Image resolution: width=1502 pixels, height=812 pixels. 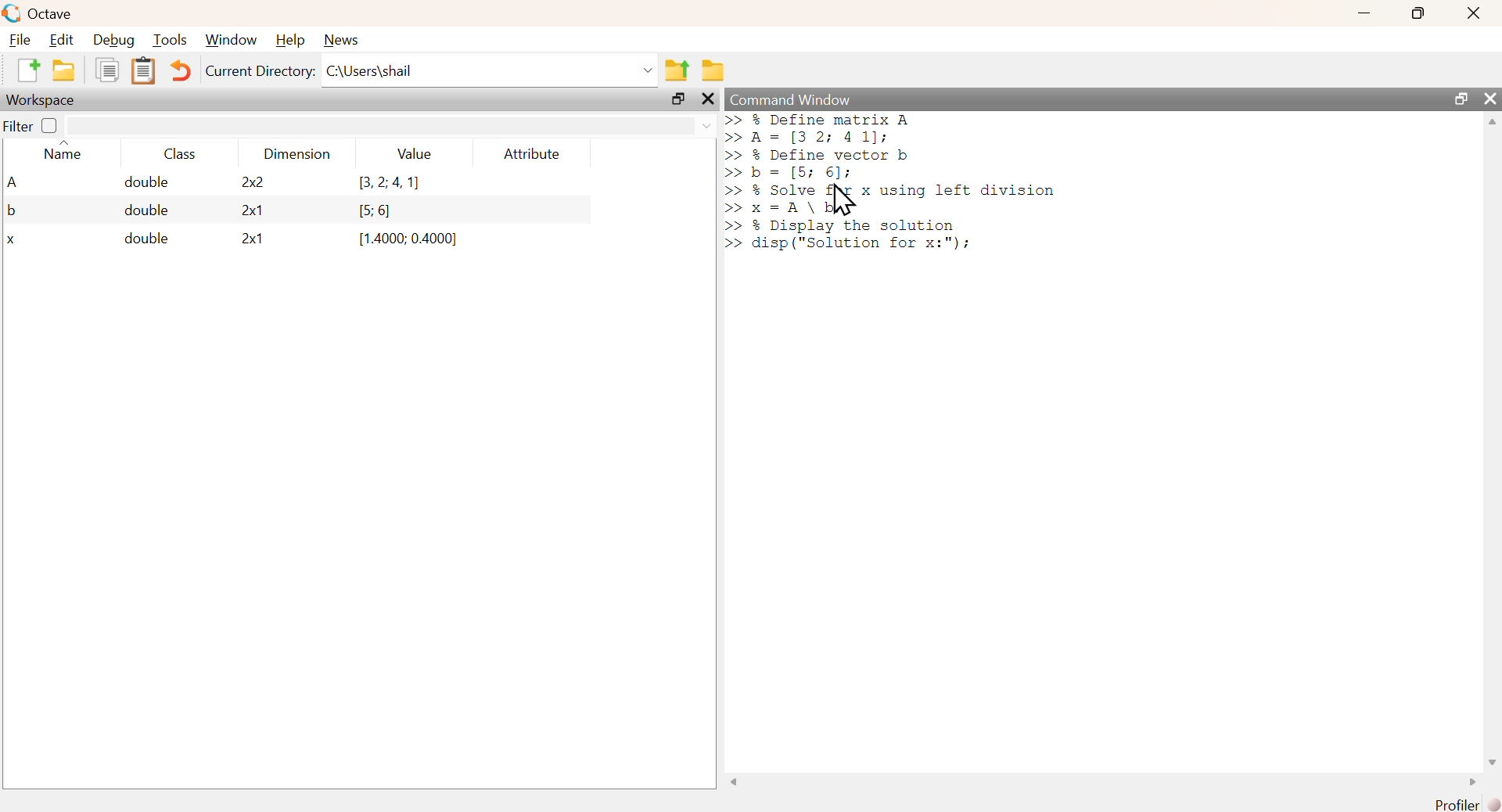 I want to click on edit, so click(x=63, y=41).